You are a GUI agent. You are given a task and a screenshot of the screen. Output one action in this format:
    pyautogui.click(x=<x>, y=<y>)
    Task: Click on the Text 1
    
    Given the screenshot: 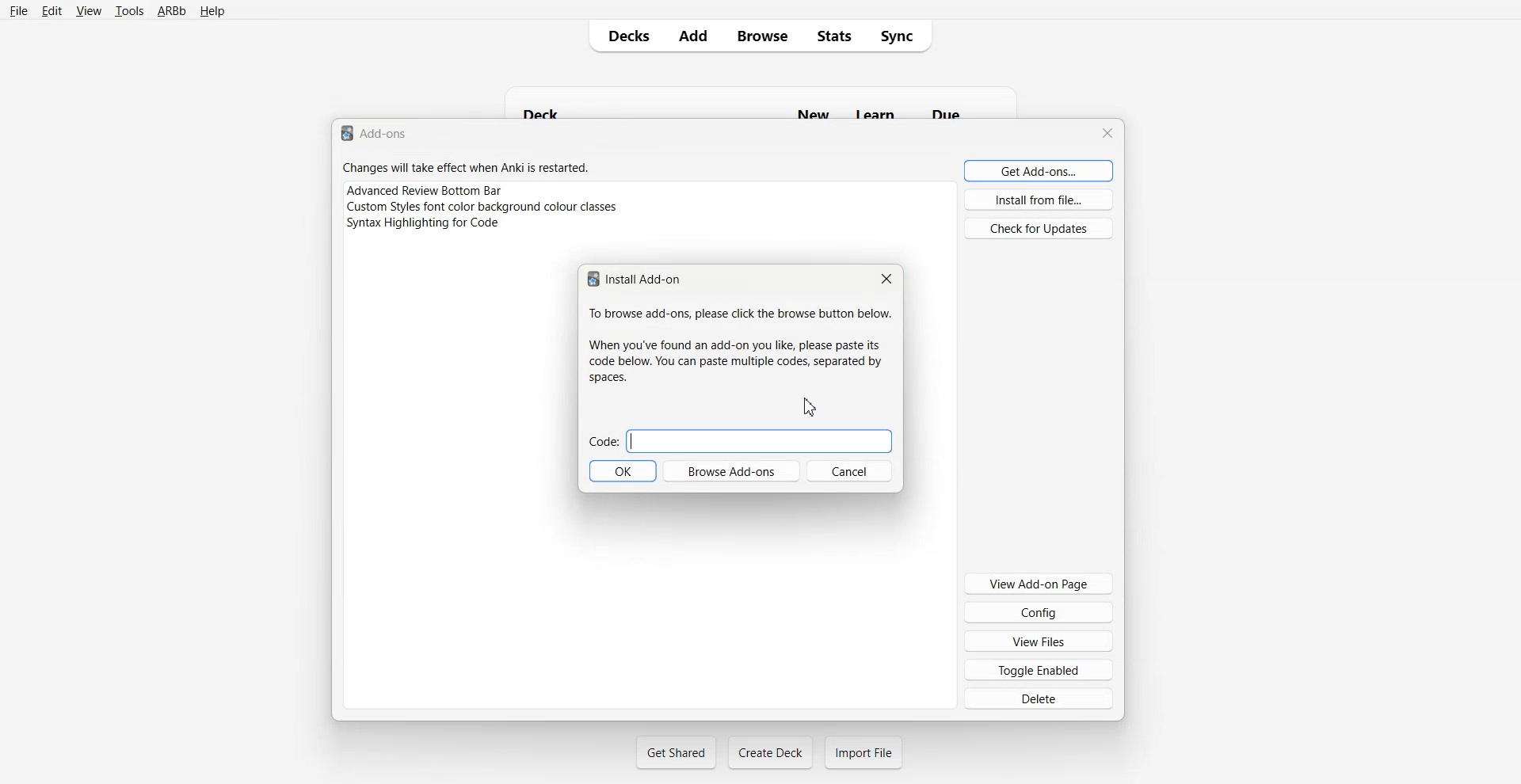 What is the action you would take?
    pyautogui.click(x=379, y=134)
    